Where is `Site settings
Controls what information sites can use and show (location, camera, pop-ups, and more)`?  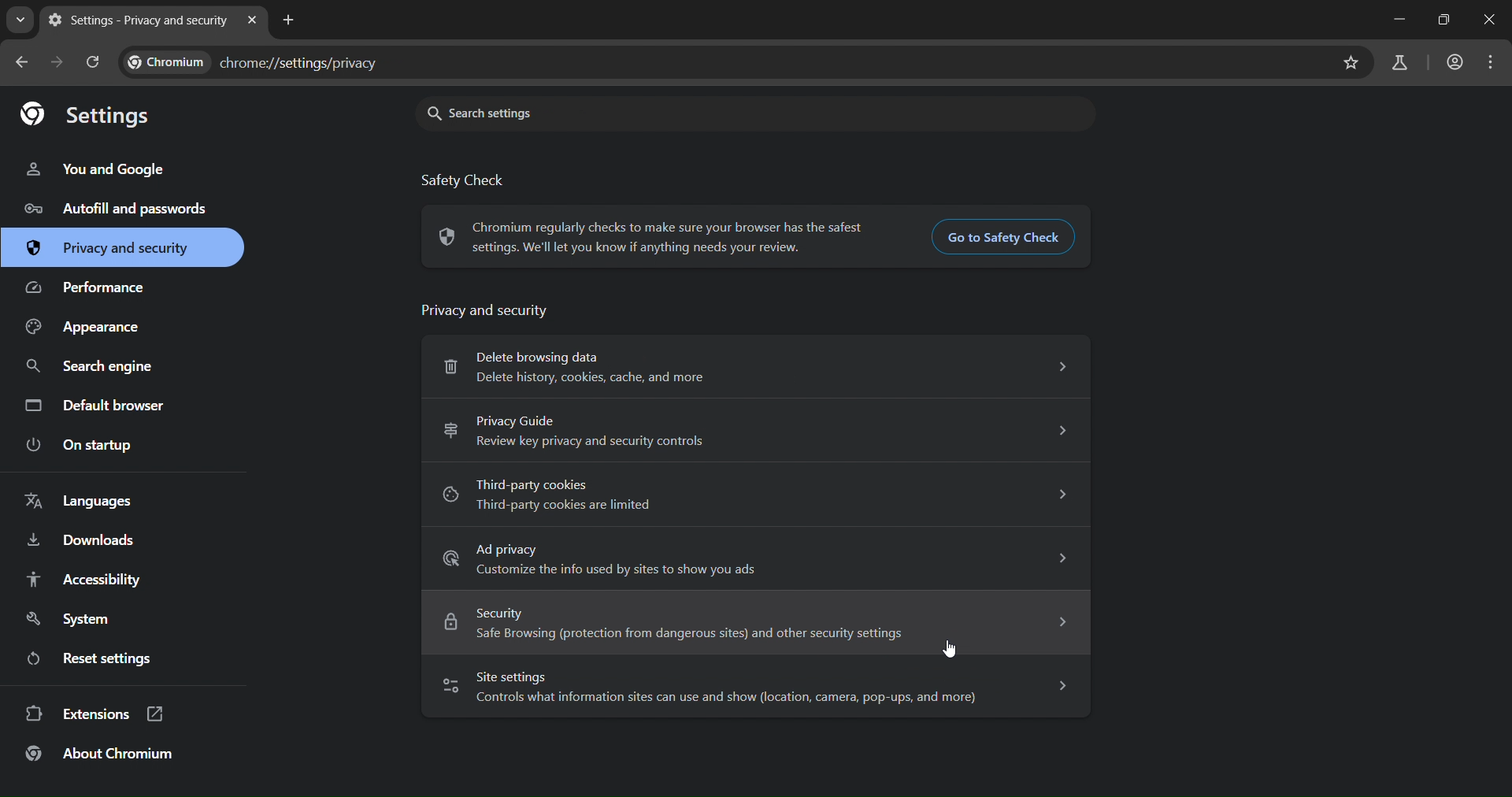
Site settings
Controls what information sites can use and show (location, camera, pop-ups, and more) is located at coordinates (753, 688).